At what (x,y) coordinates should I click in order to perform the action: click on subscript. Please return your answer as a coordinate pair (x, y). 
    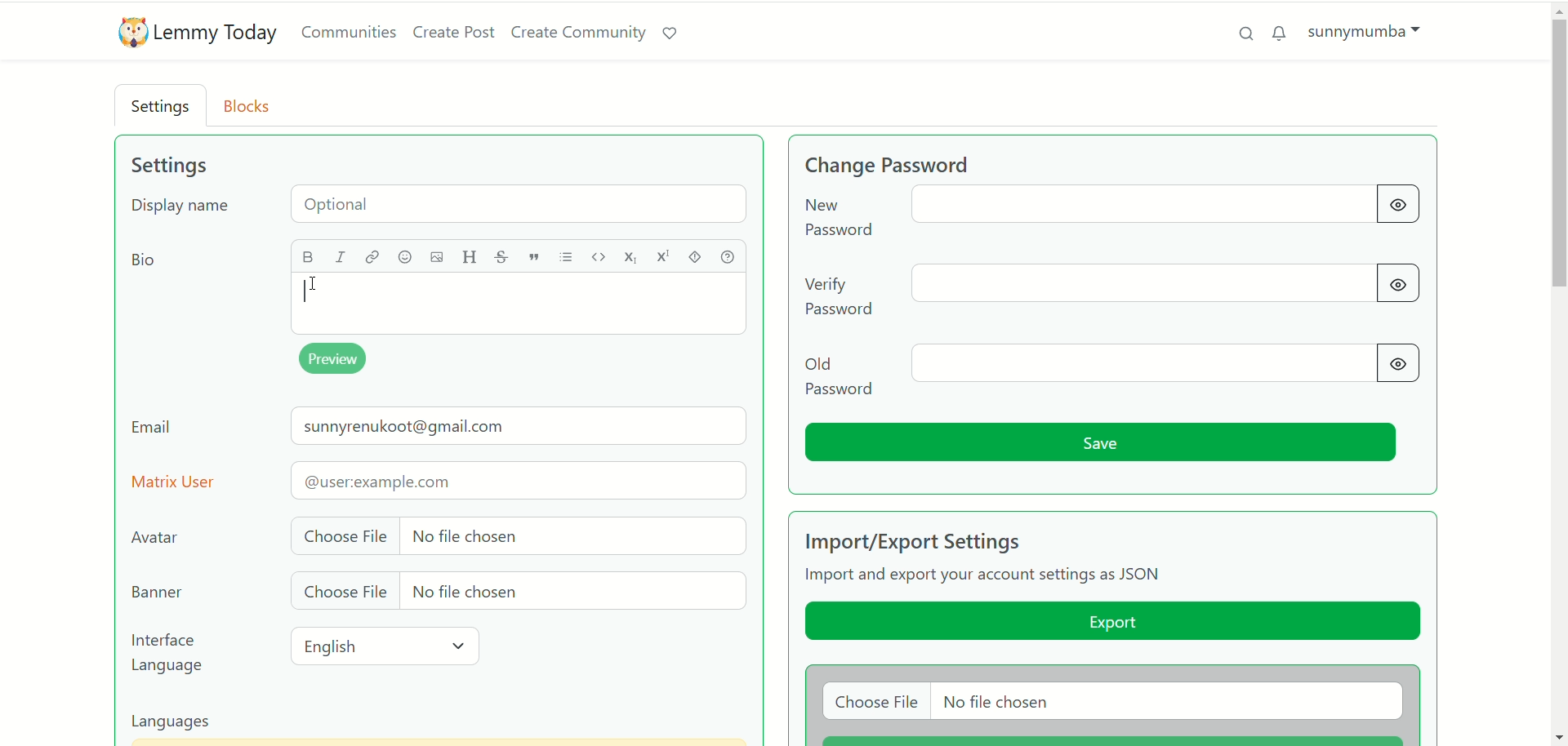
    Looking at the image, I should click on (631, 259).